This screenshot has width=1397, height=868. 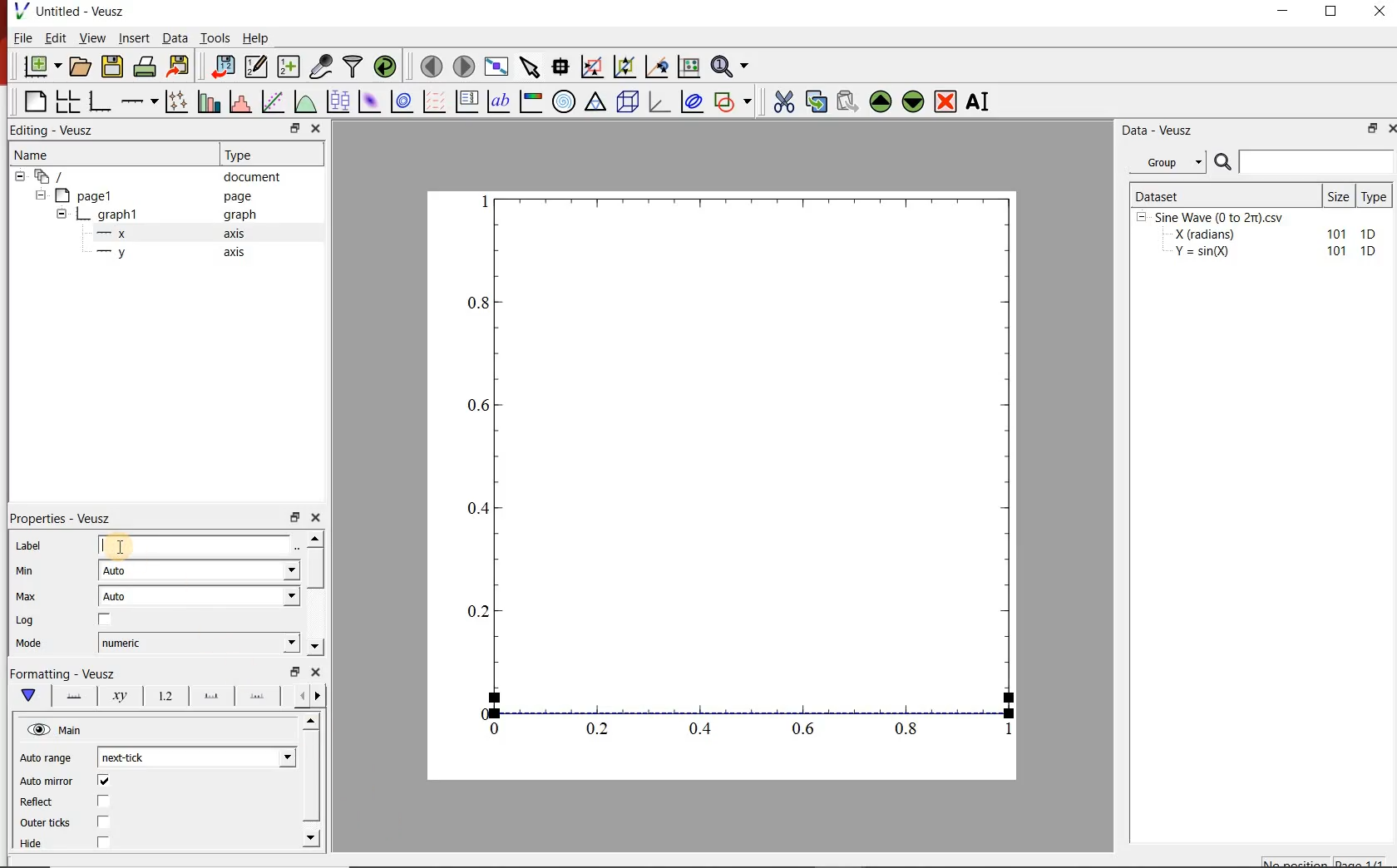 I want to click on Name, so click(x=30, y=153).